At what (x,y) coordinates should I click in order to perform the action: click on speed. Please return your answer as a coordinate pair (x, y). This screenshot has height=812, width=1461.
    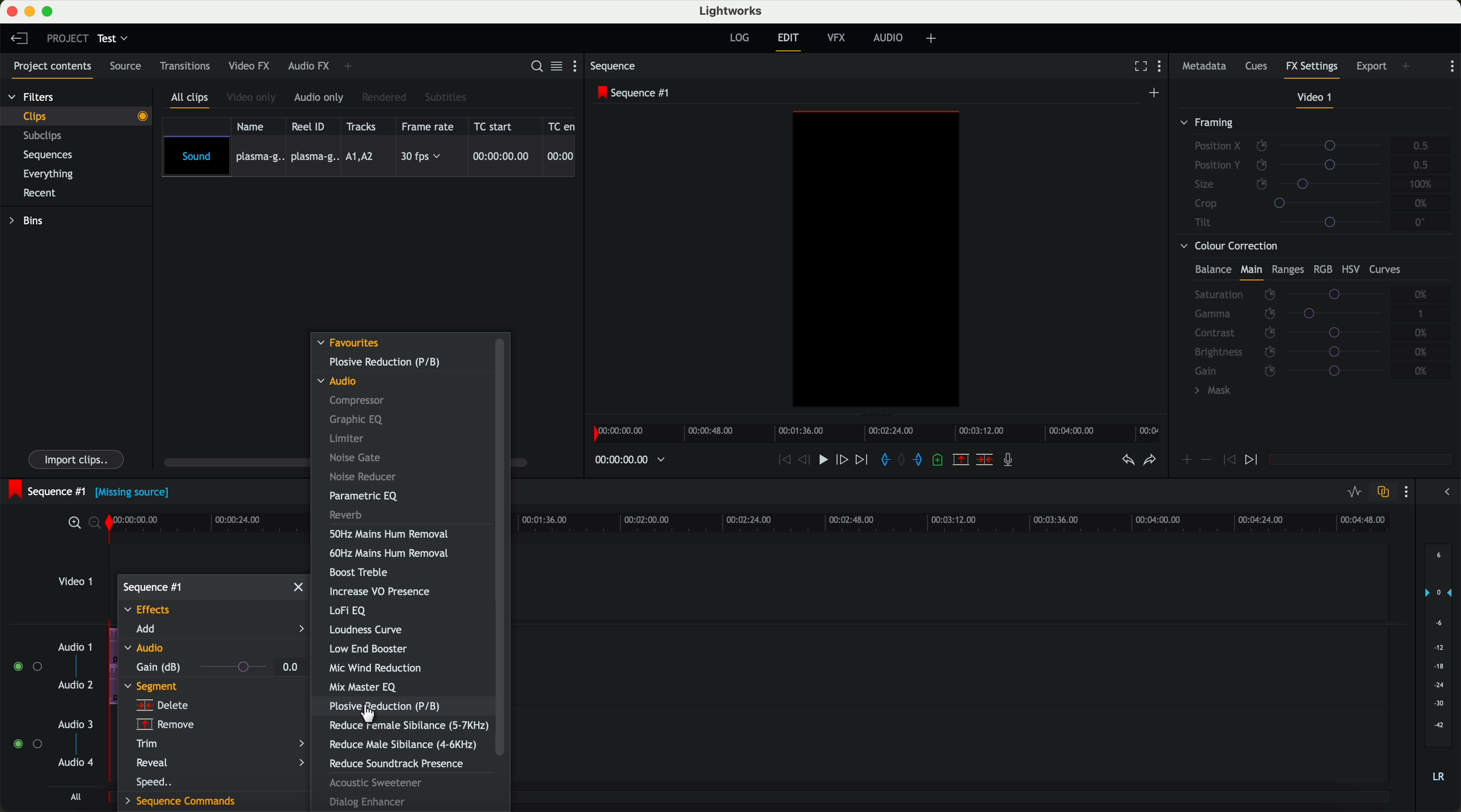
    Looking at the image, I should click on (157, 782).